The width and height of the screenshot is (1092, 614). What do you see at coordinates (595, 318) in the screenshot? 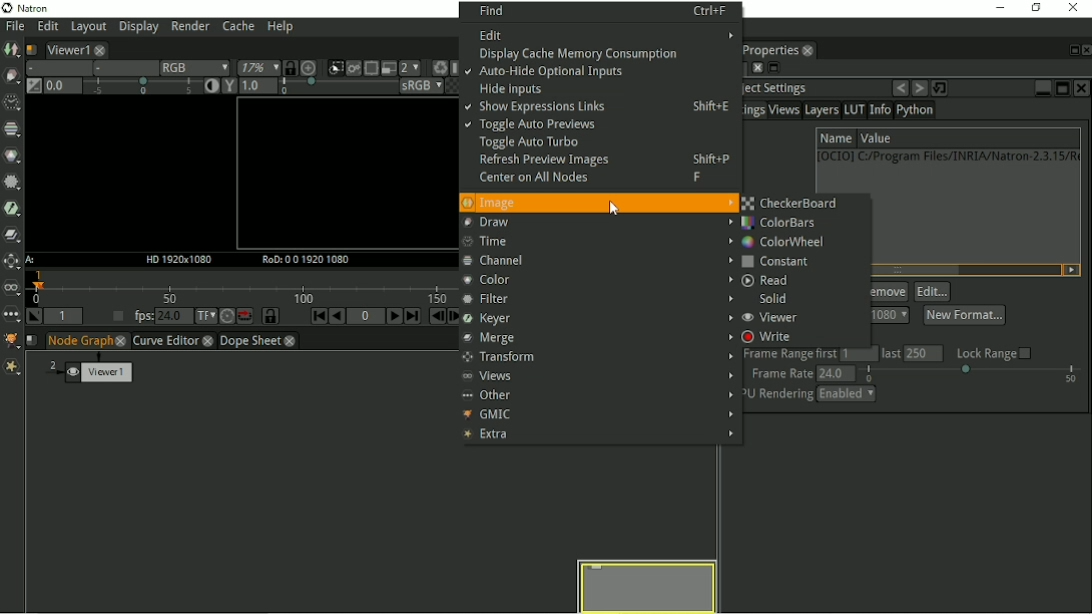
I see `Keyer` at bounding box center [595, 318].